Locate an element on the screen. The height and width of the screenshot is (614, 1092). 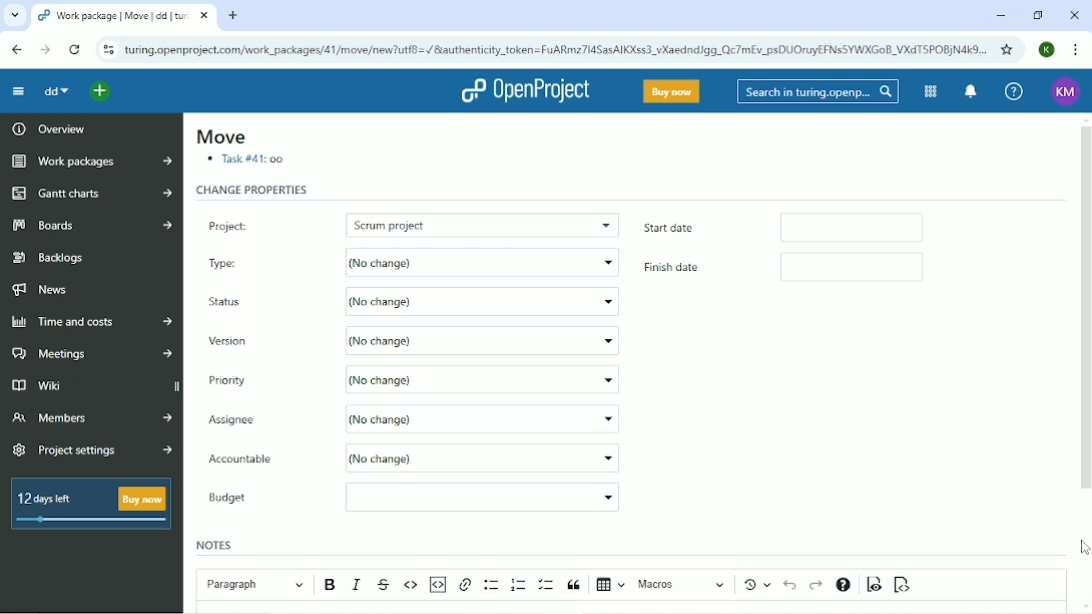
12 days left Buy now is located at coordinates (95, 509).